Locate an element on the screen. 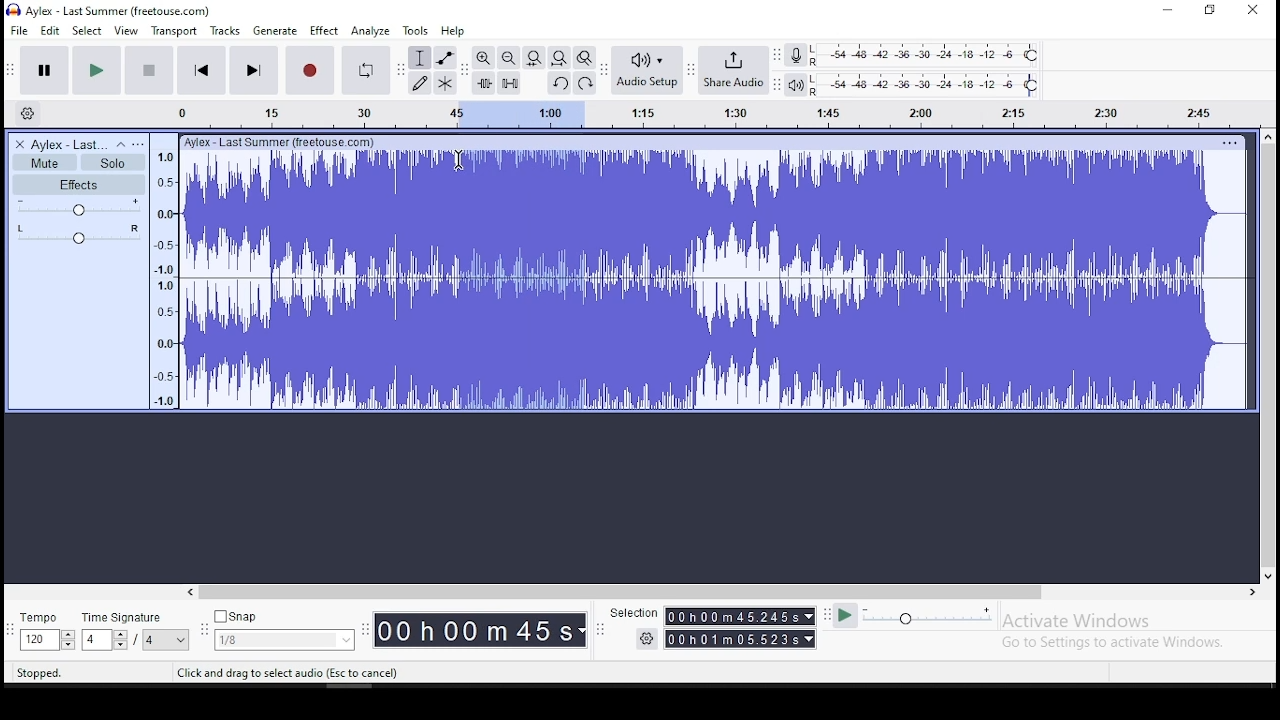 Image resolution: width=1280 pixels, height=720 pixels. track options is located at coordinates (1231, 143).